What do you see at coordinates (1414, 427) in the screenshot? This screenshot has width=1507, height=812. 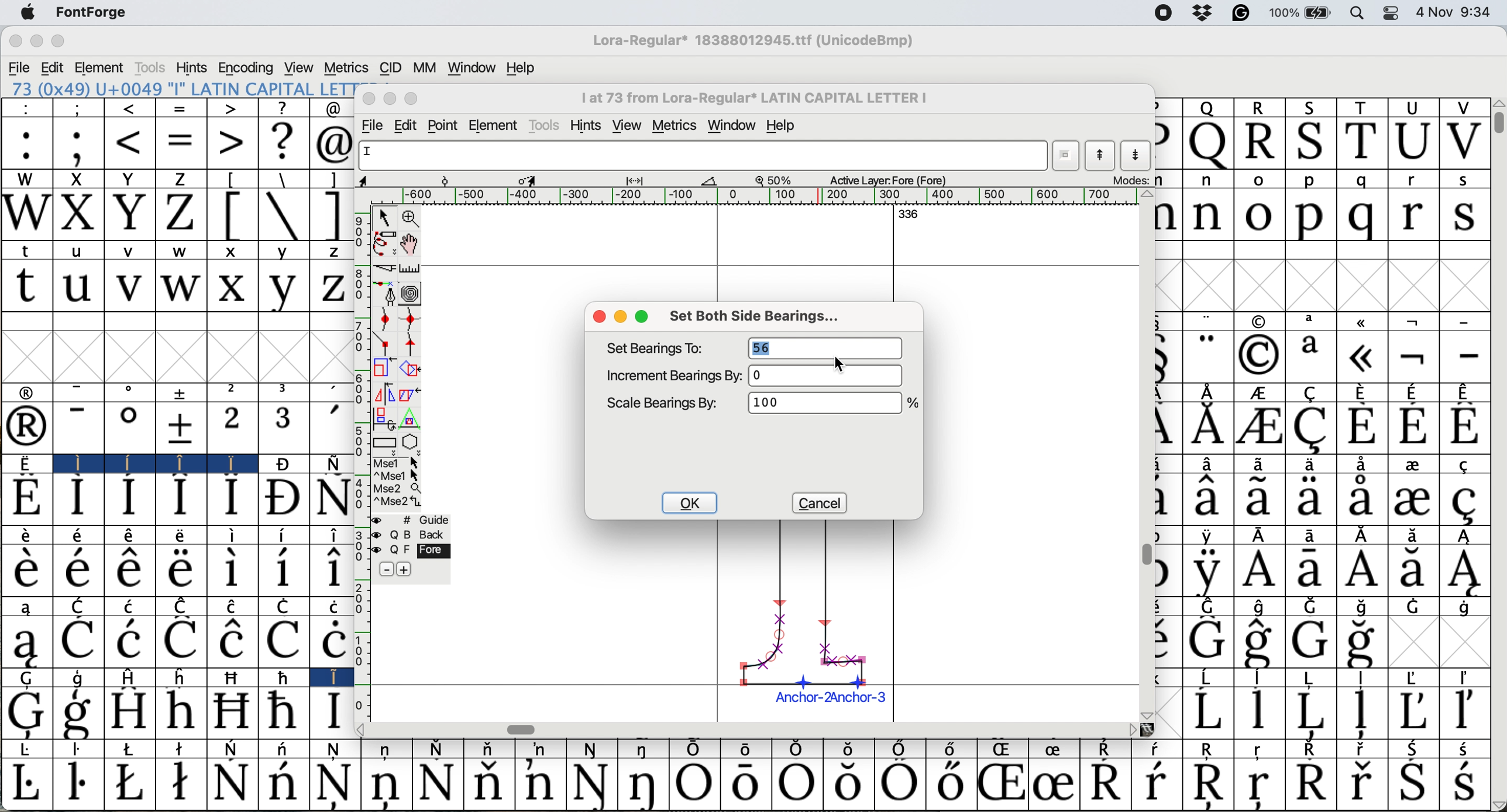 I see `Symbol` at bounding box center [1414, 427].